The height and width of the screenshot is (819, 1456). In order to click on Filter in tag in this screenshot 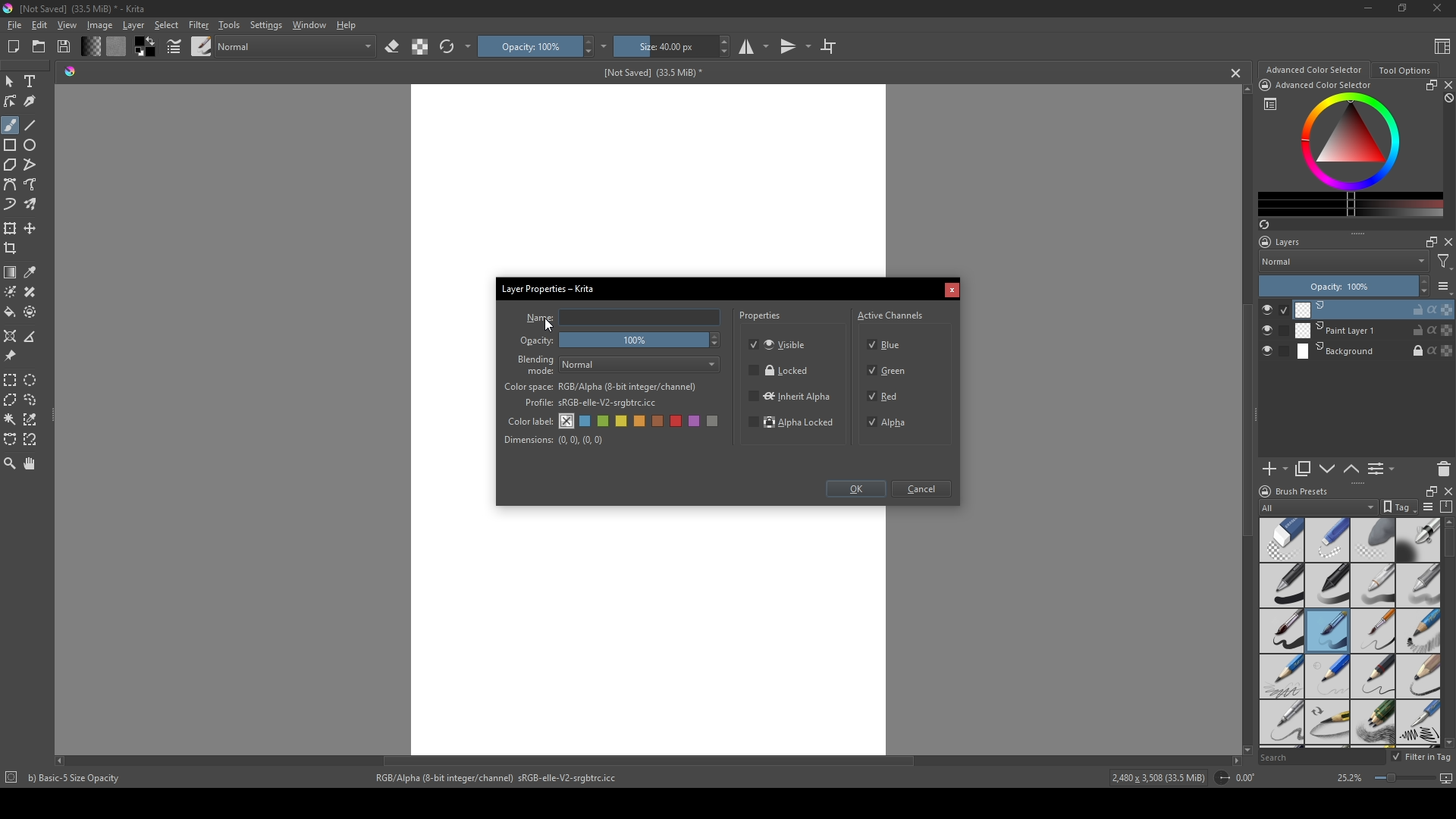, I will do `click(1423, 758)`.